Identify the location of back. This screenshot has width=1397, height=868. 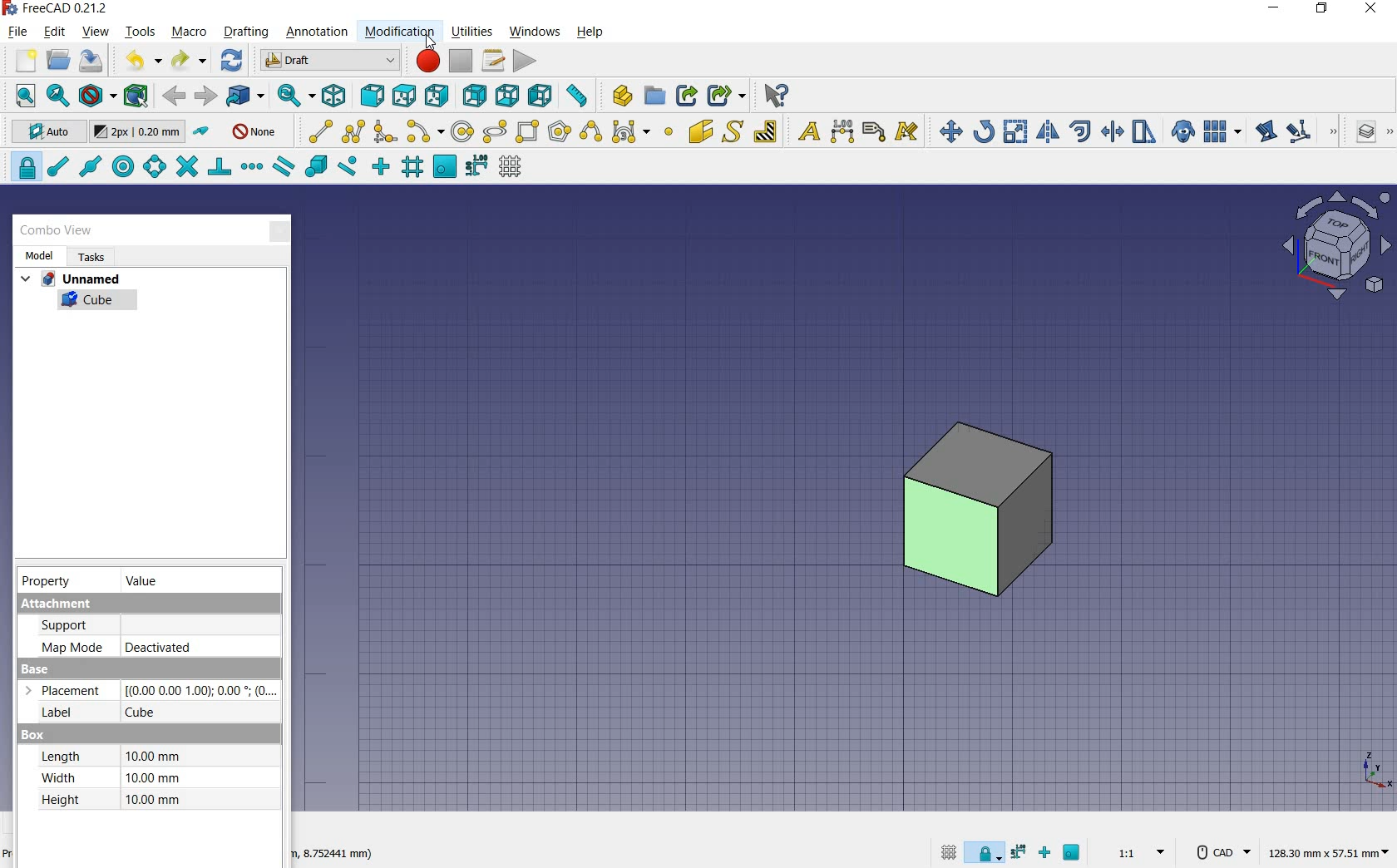
(175, 96).